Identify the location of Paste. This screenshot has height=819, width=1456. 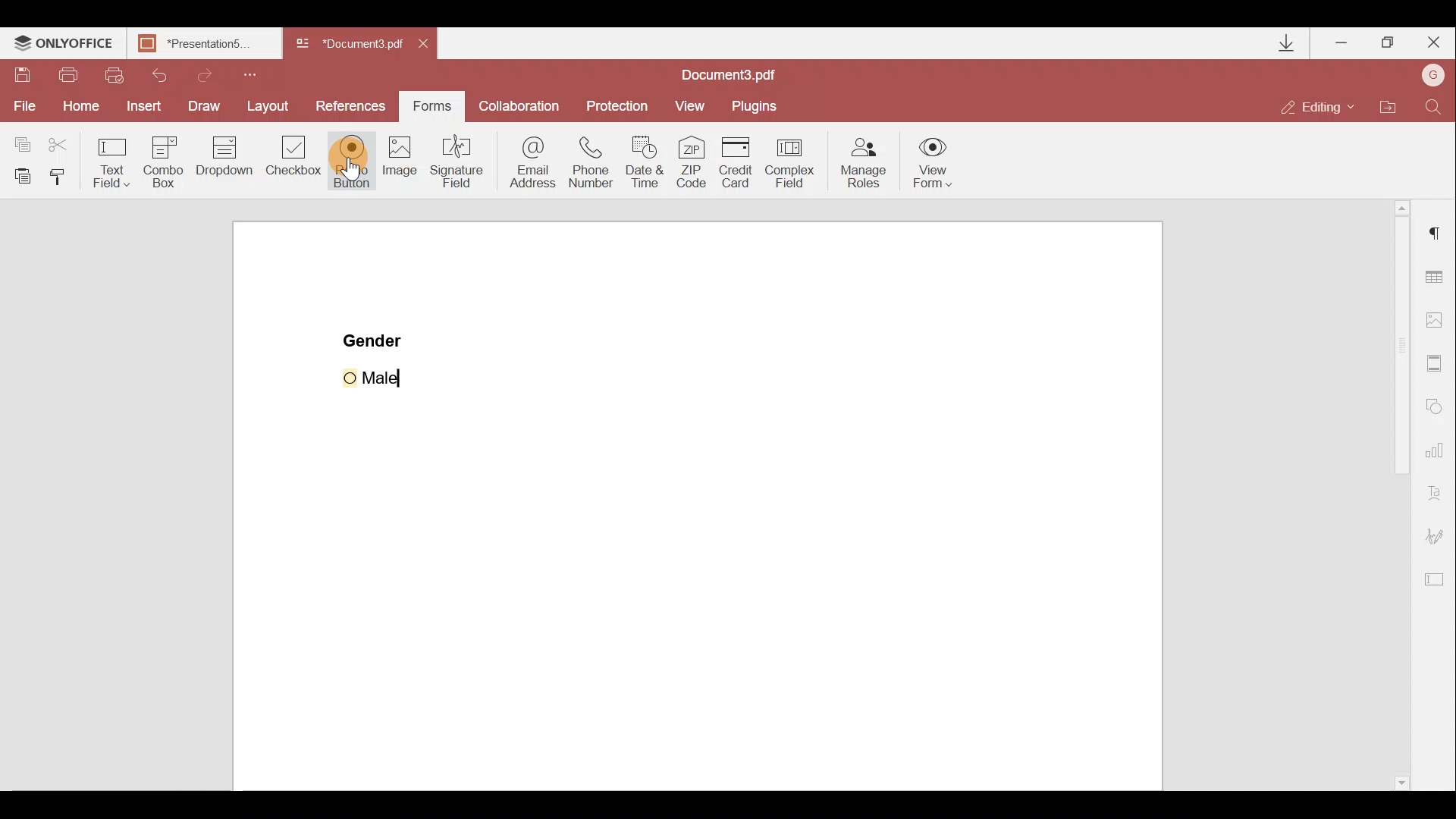
(20, 174).